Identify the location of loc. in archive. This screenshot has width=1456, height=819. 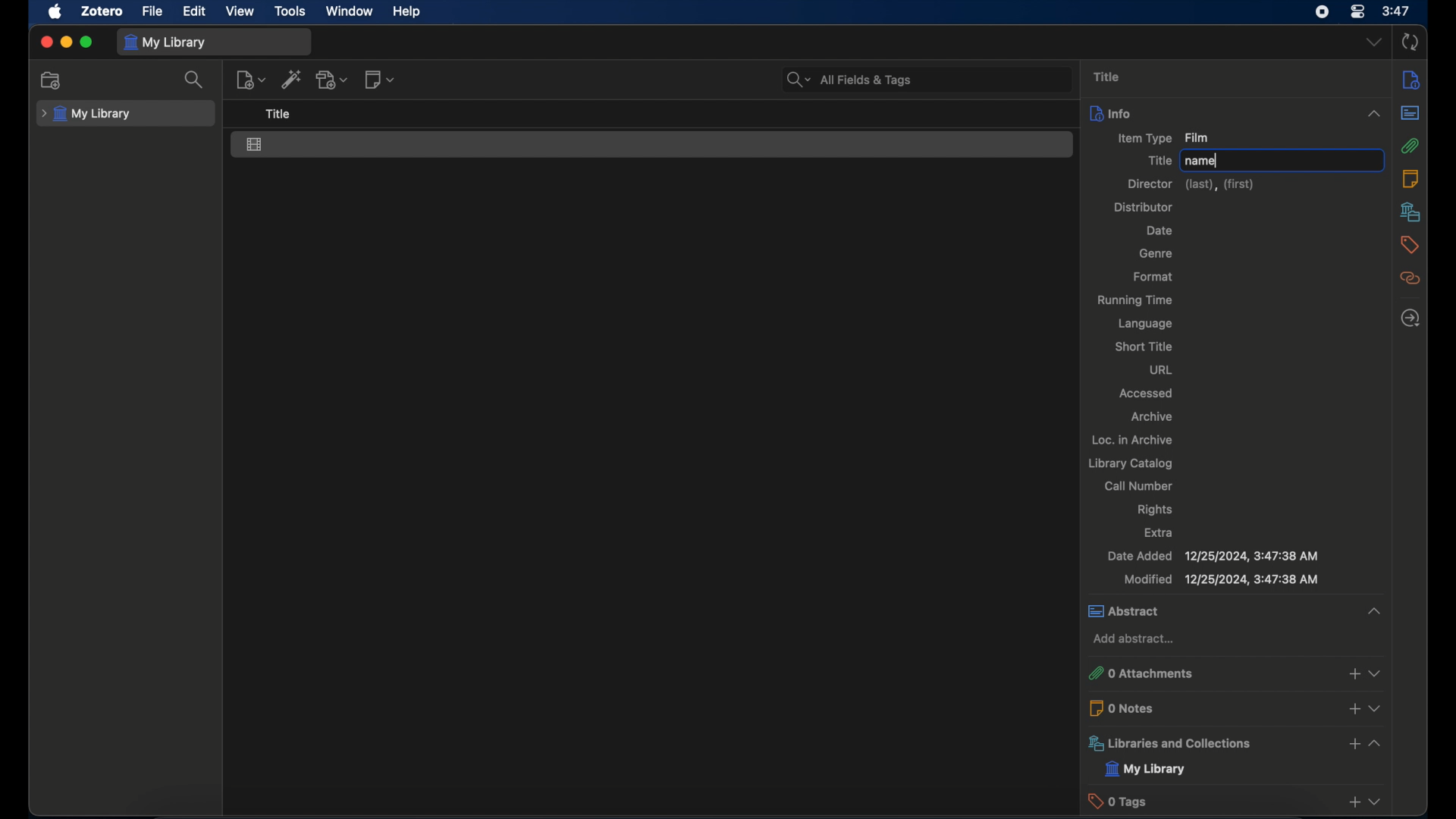
(1132, 440).